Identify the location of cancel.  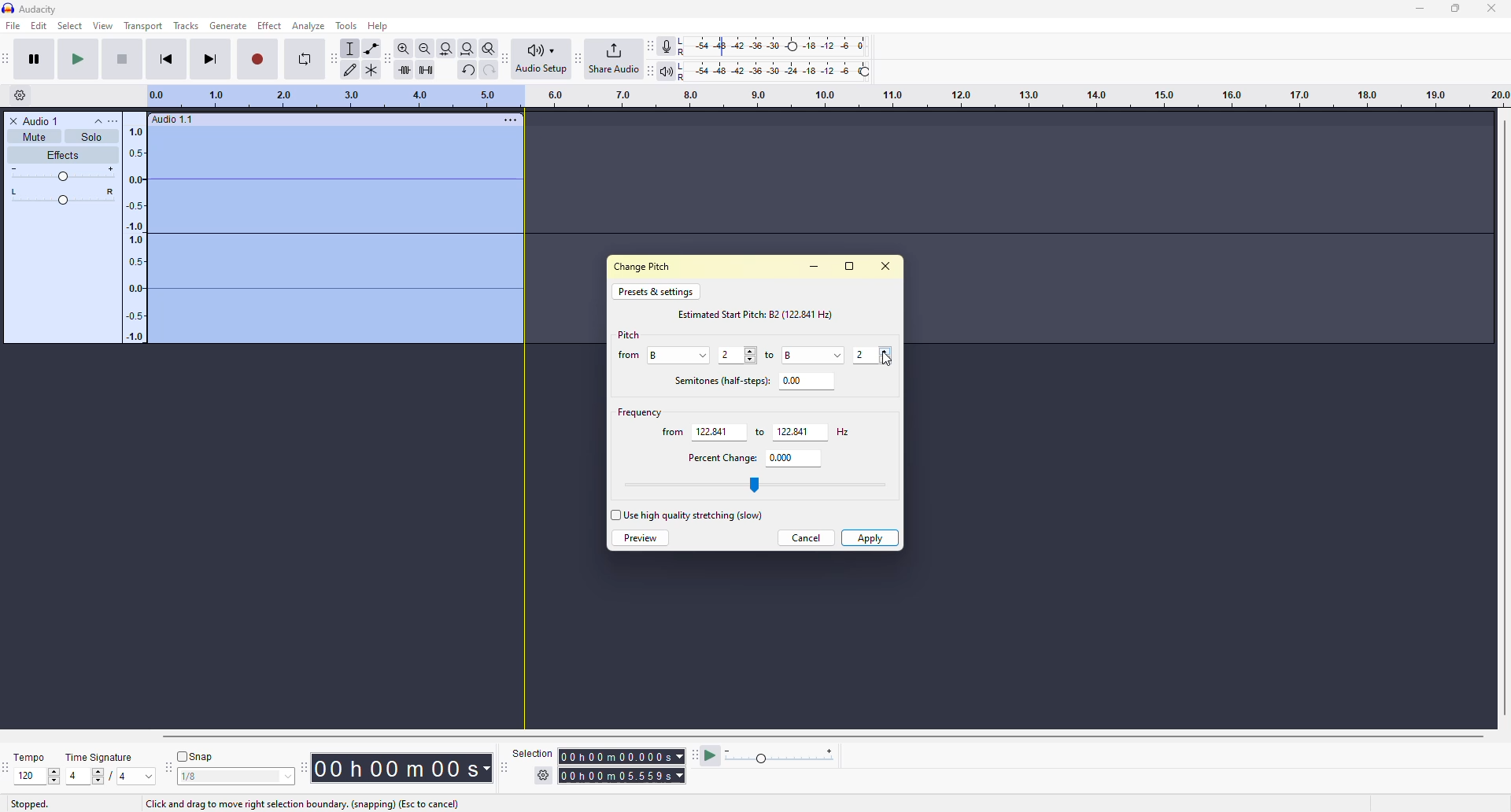
(805, 537).